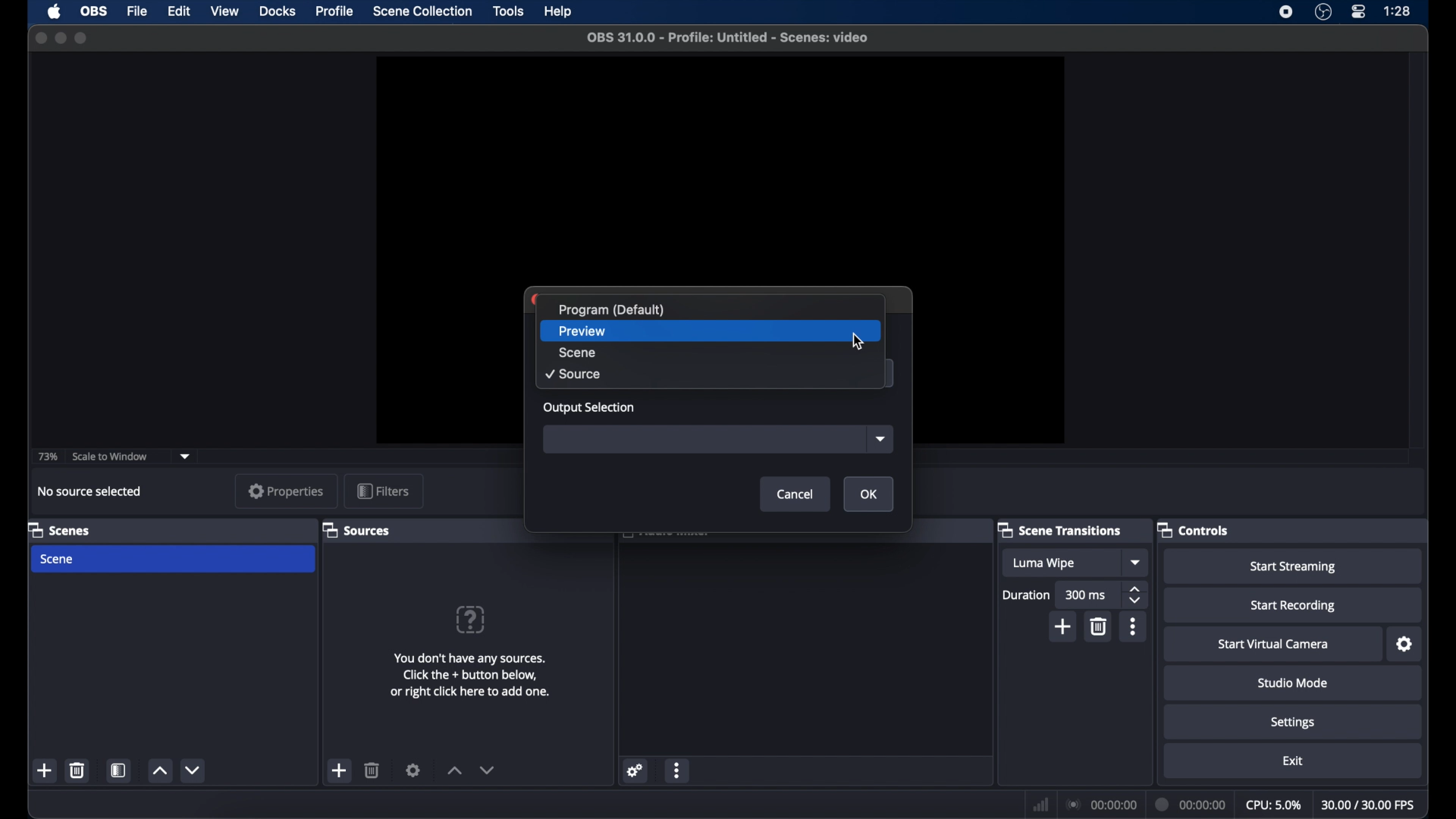 The height and width of the screenshot is (819, 1456). What do you see at coordinates (1273, 645) in the screenshot?
I see `start virtual camera` at bounding box center [1273, 645].